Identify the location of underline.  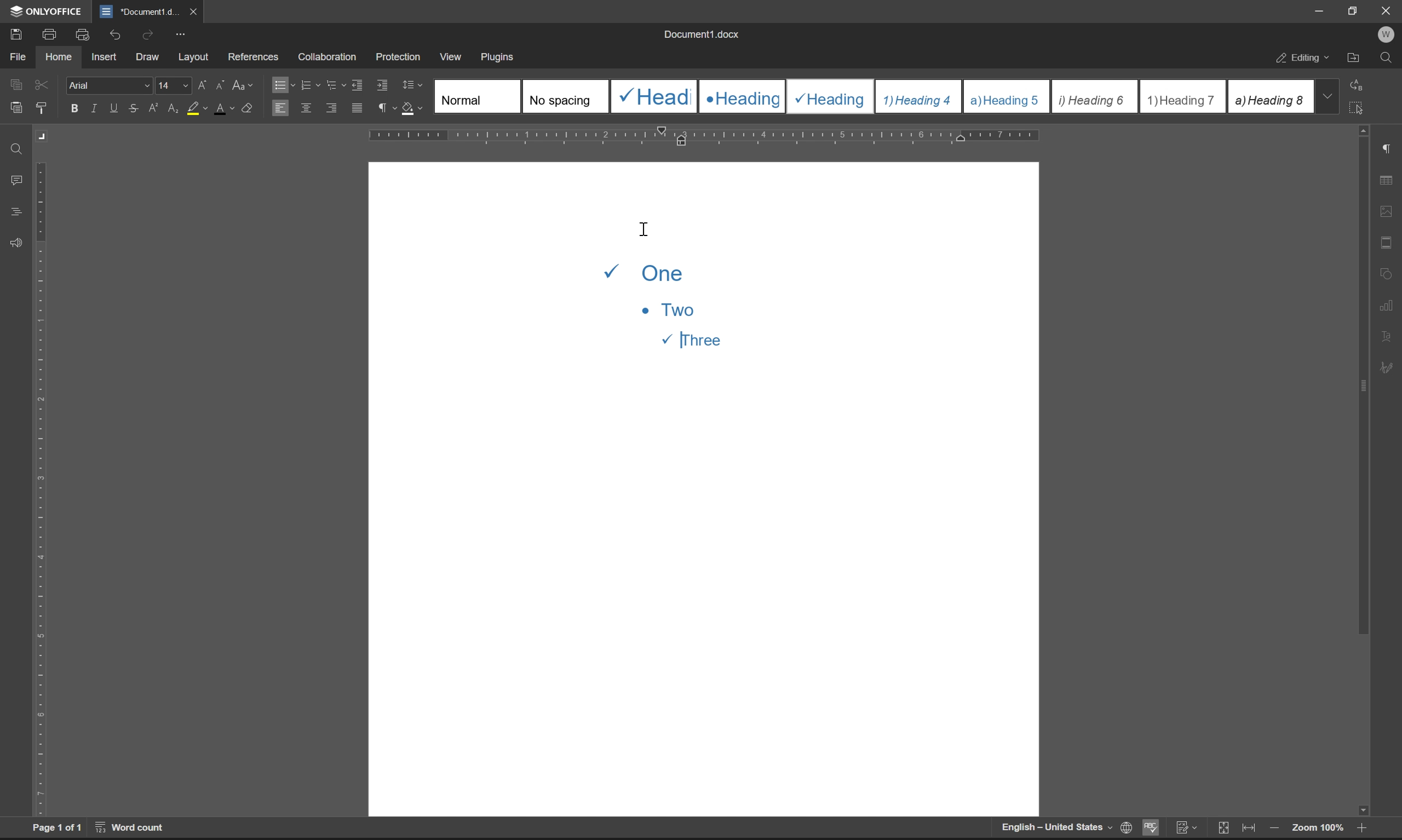
(115, 108).